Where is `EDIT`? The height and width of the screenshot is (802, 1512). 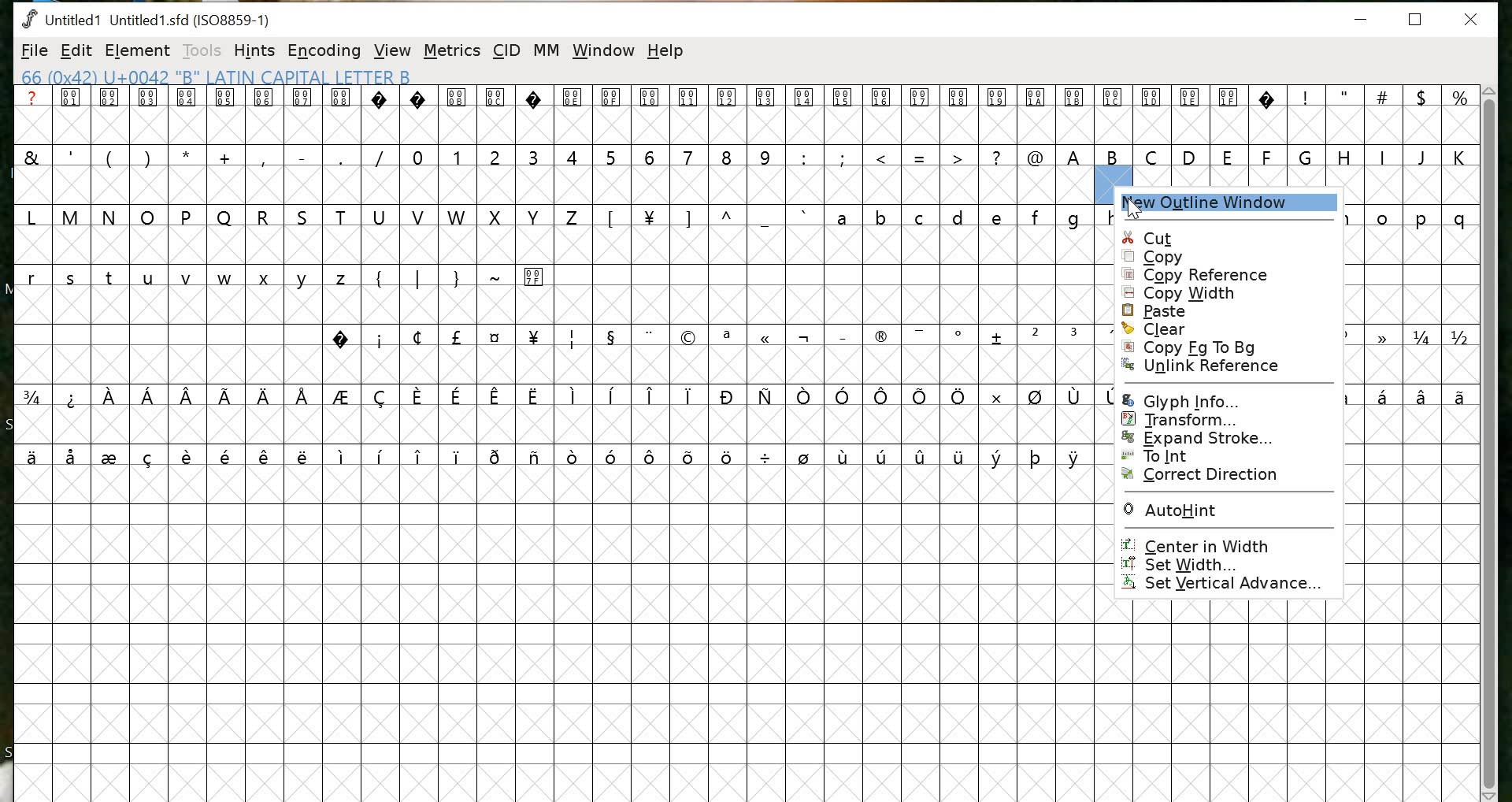 EDIT is located at coordinates (76, 50).